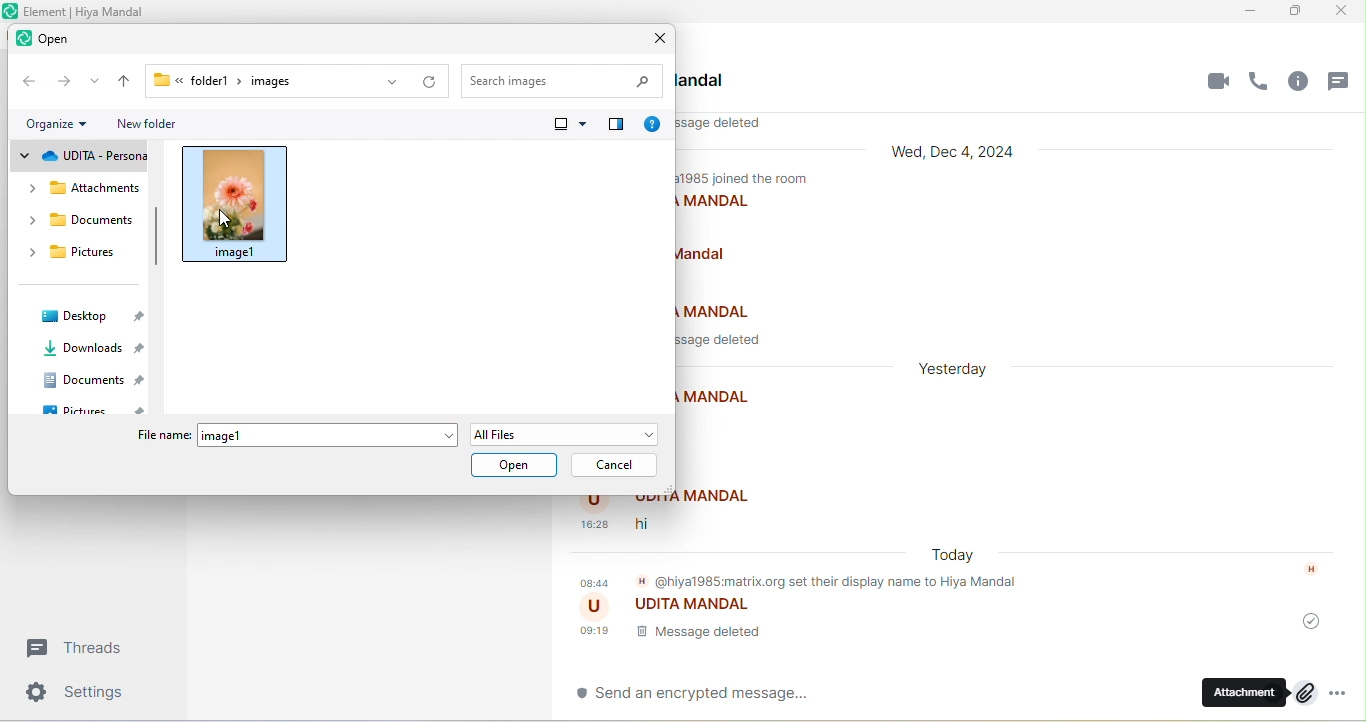  Describe the element at coordinates (614, 124) in the screenshot. I see `show the preview pane` at that location.